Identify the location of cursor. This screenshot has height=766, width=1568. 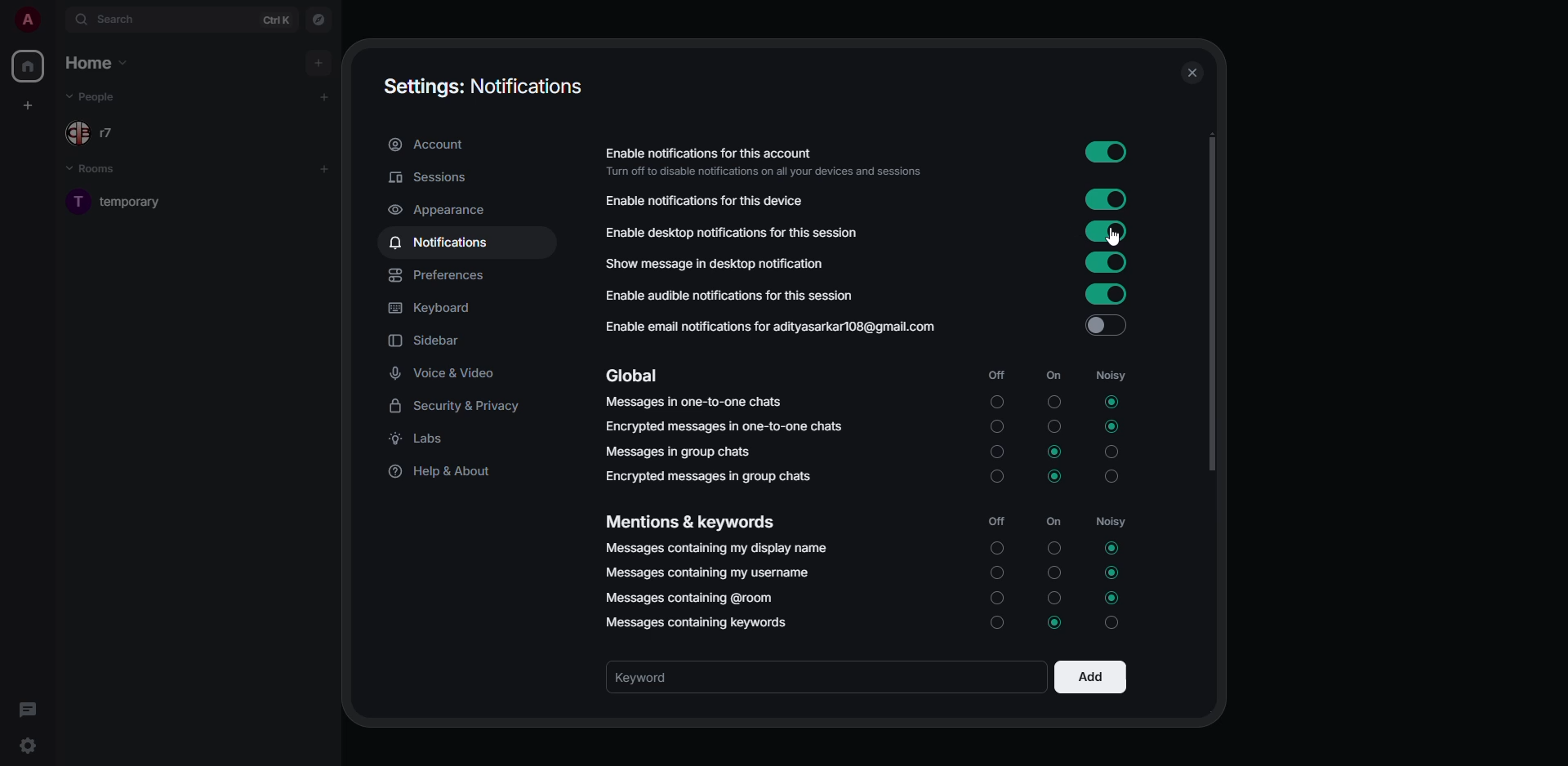
(1117, 238).